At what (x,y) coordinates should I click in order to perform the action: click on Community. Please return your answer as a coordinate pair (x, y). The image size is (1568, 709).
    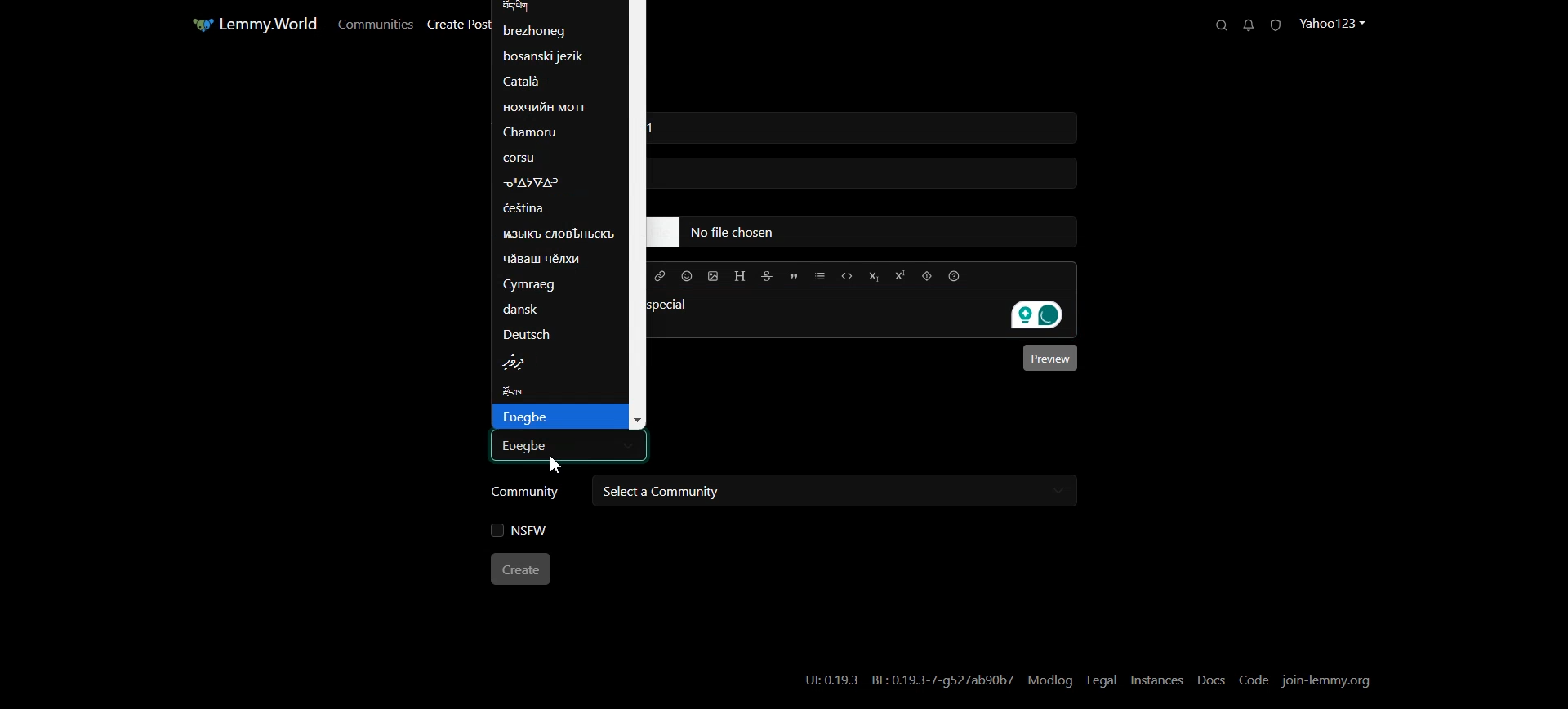
    Looking at the image, I should click on (526, 493).